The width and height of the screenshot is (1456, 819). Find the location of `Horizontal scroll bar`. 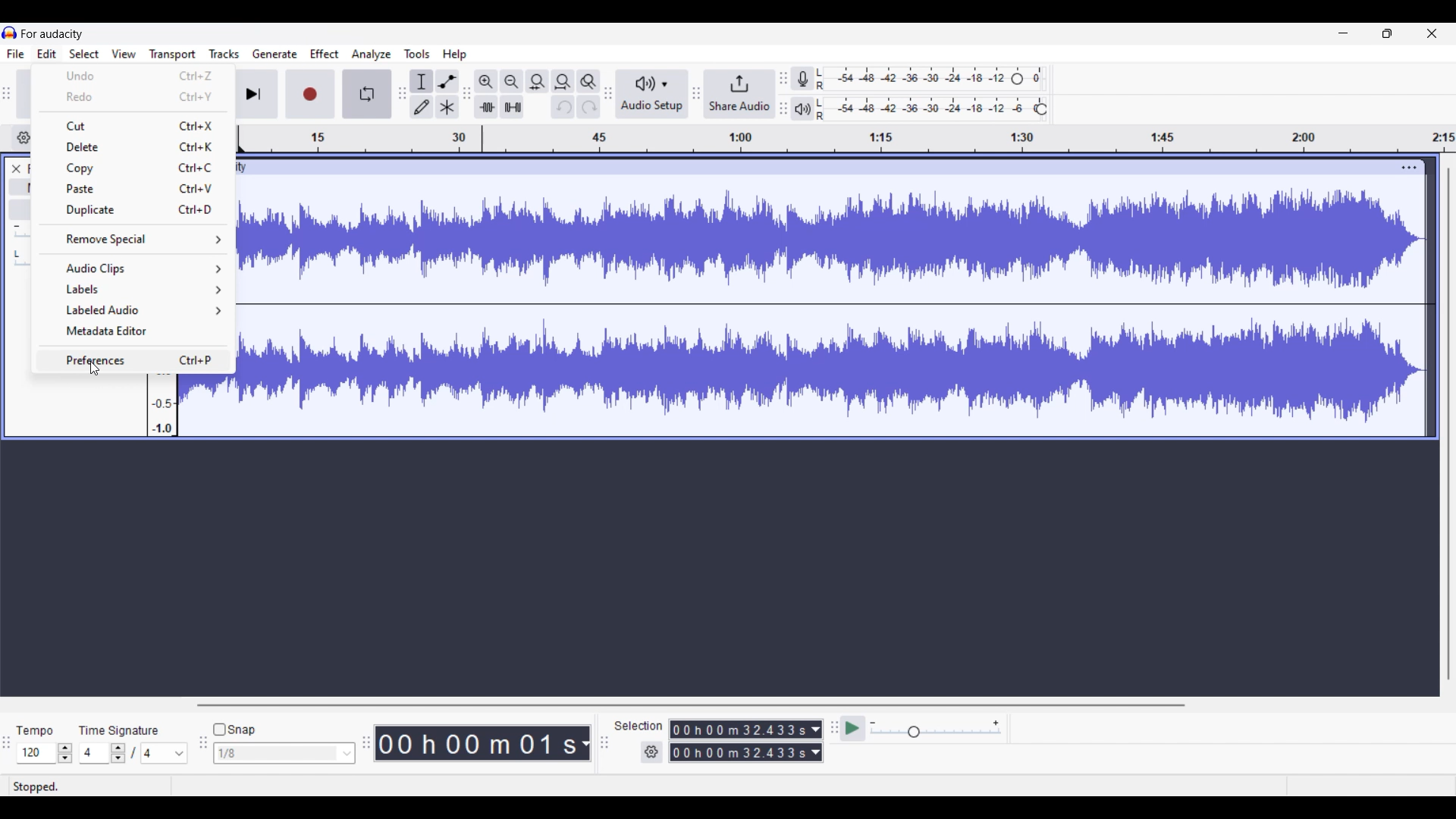

Horizontal scroll bar is located at coordinates (689, 705).